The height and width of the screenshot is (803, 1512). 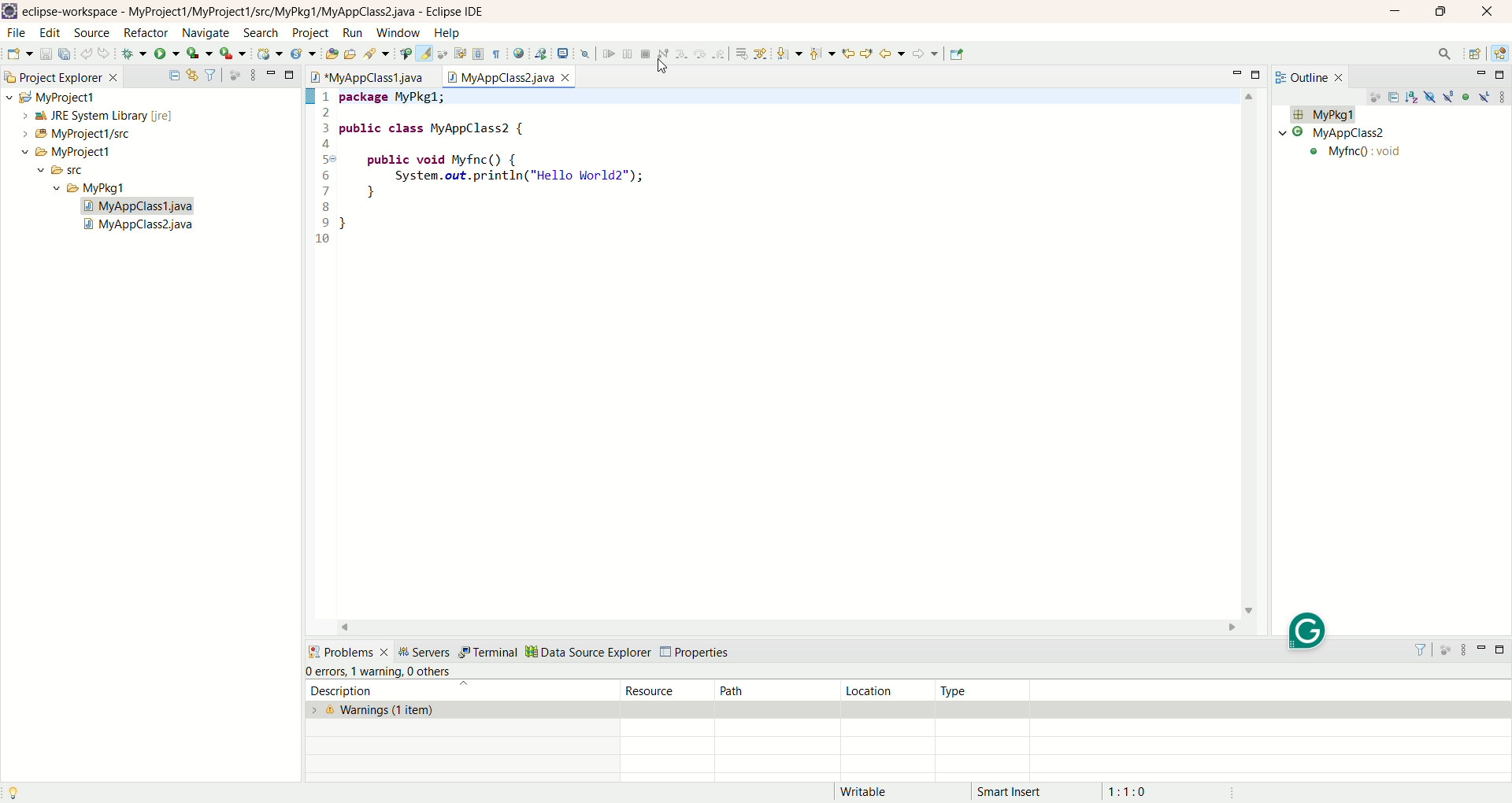 What do you see at coordinates (775, 690) in the screenshot?
I see `path` at bounding box center [775, 690].